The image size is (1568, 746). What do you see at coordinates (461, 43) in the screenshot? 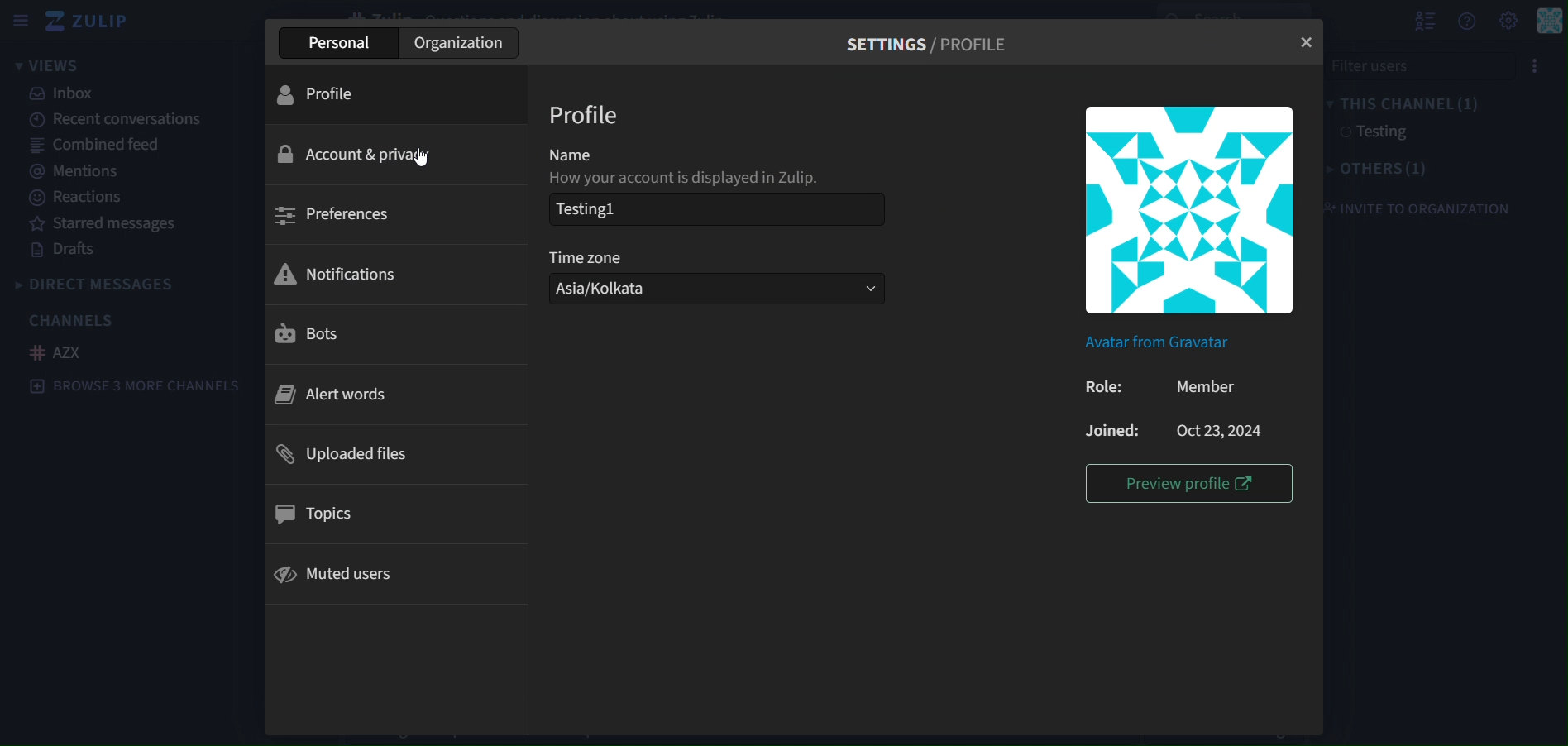
I see `organization` at bounding box center [461, 43].